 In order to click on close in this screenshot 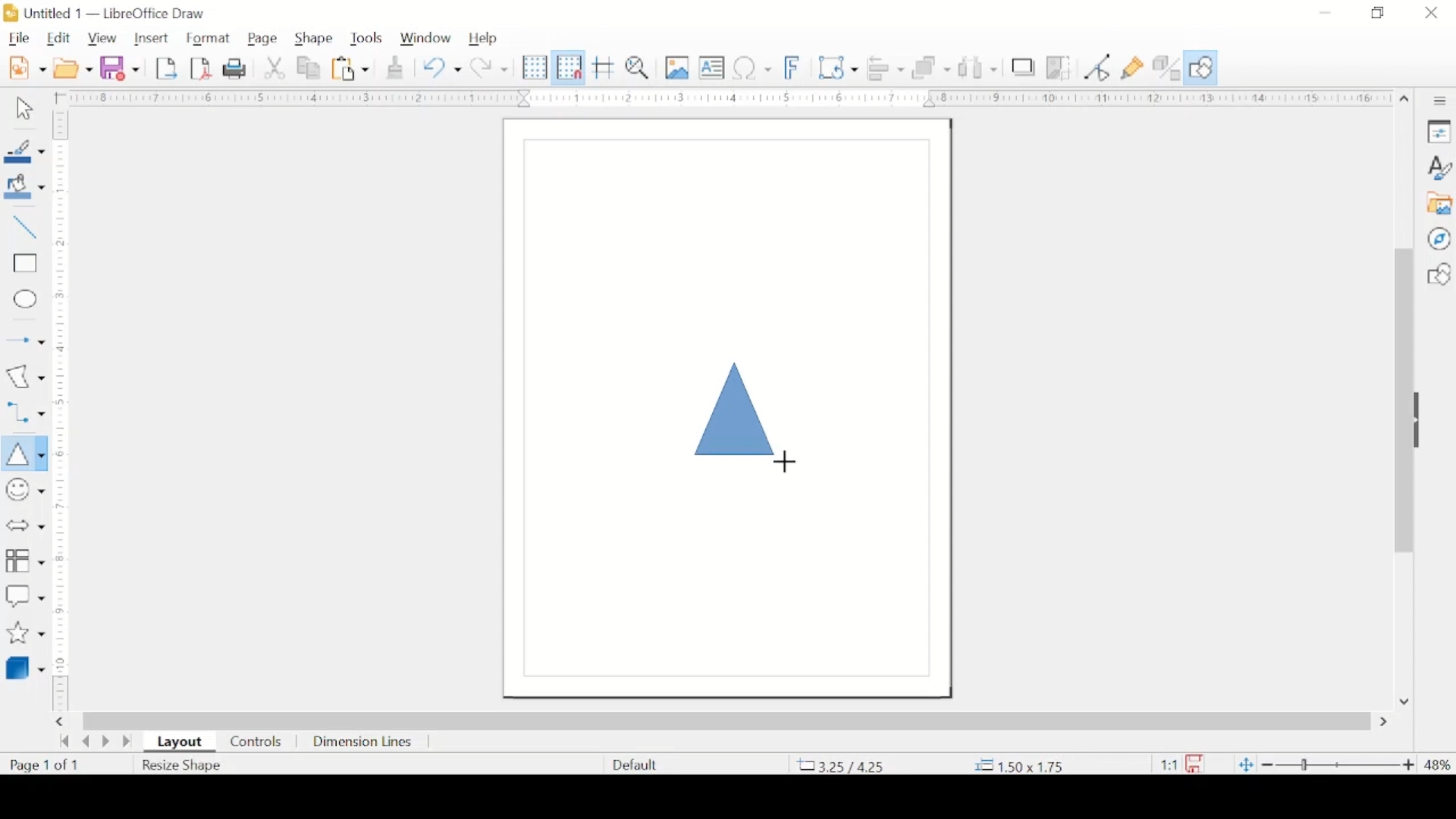, I will do `click(1432, 13)`.